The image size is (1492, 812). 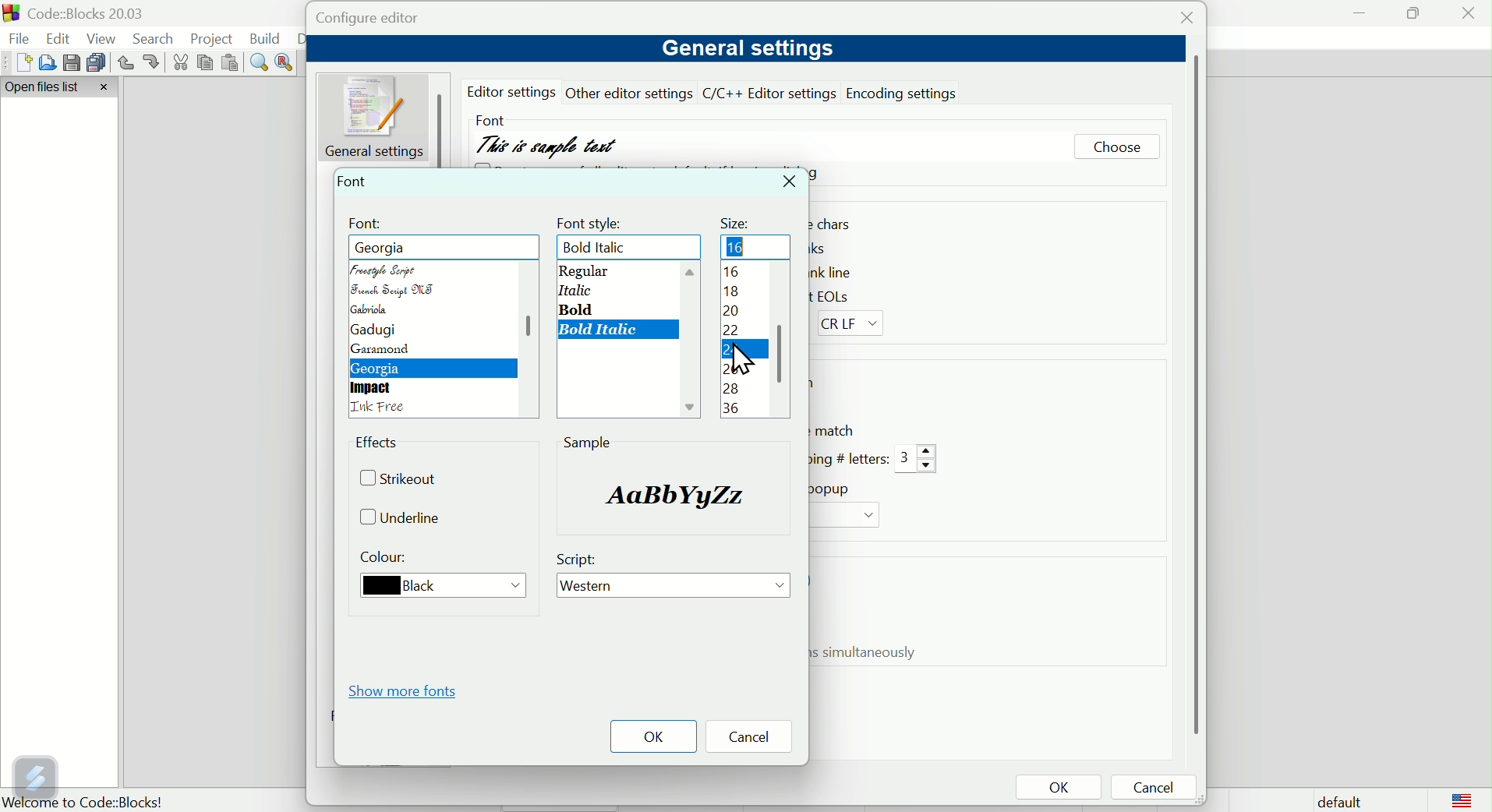 What do you see at coordinates (367, 224) in the screenshot?
I see `Font` at bounding box center [367, 224].